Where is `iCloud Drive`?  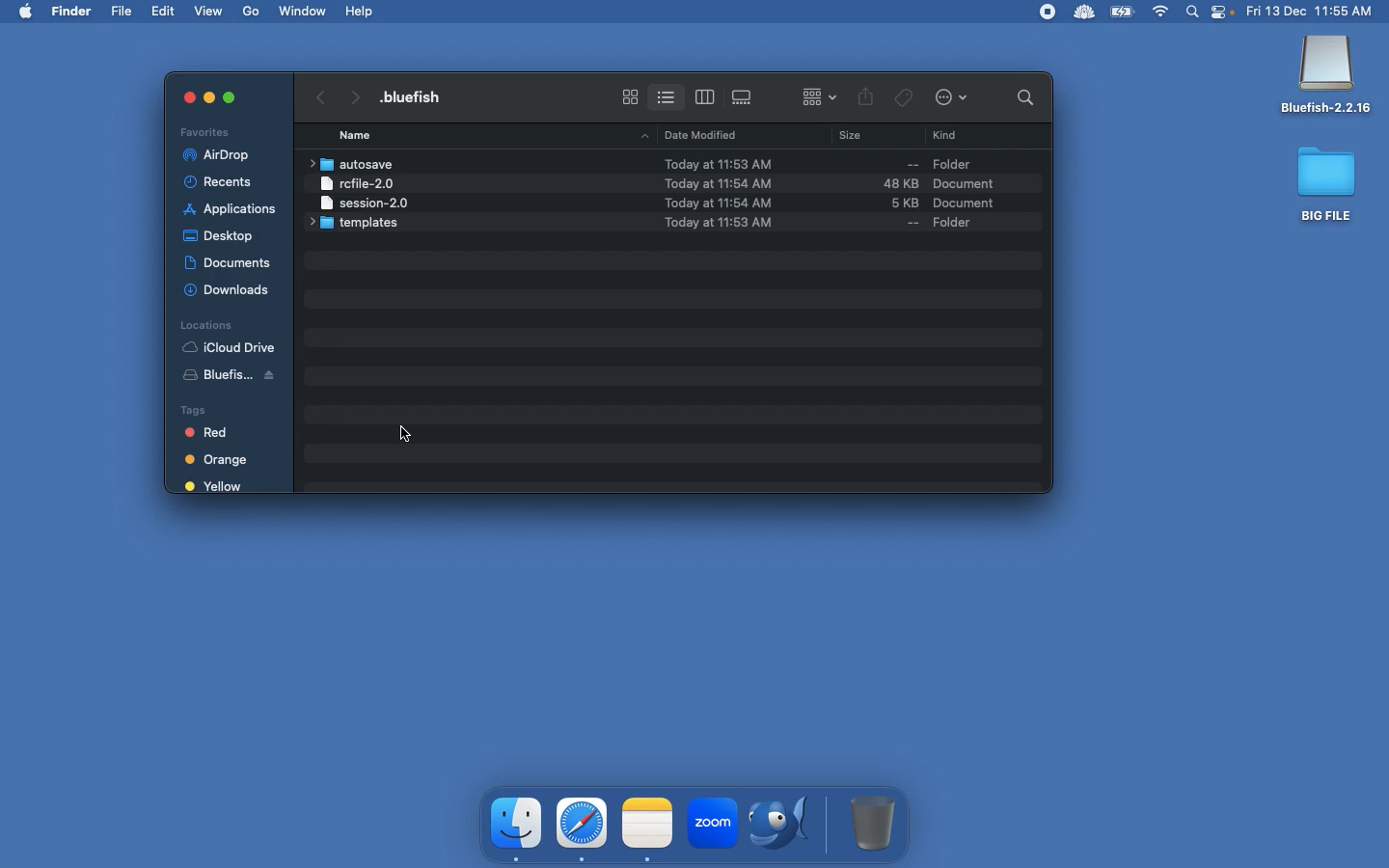 iCloud Drive is located at coordinates (229, 347).